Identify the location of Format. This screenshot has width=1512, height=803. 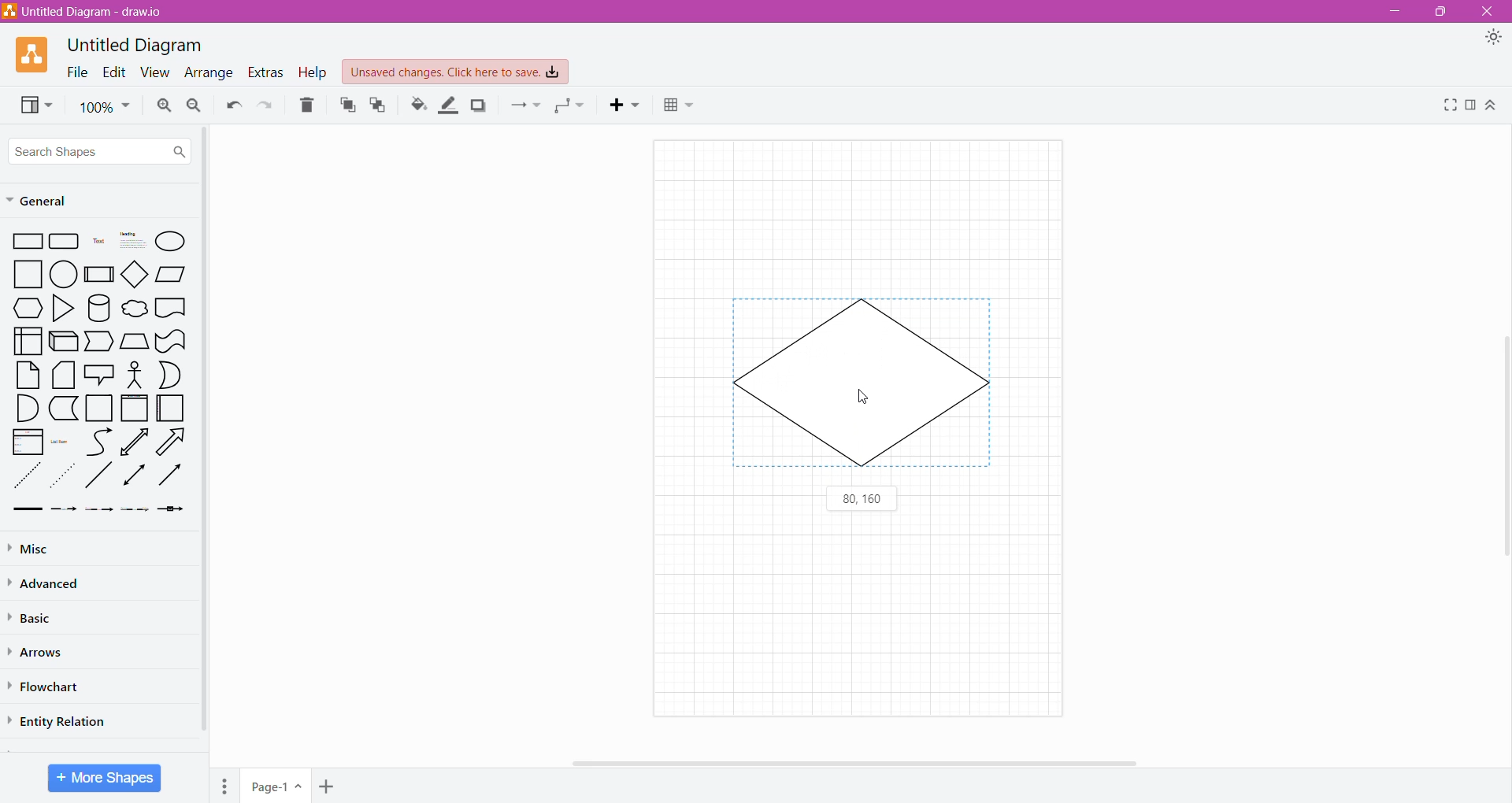
(1472, 105).